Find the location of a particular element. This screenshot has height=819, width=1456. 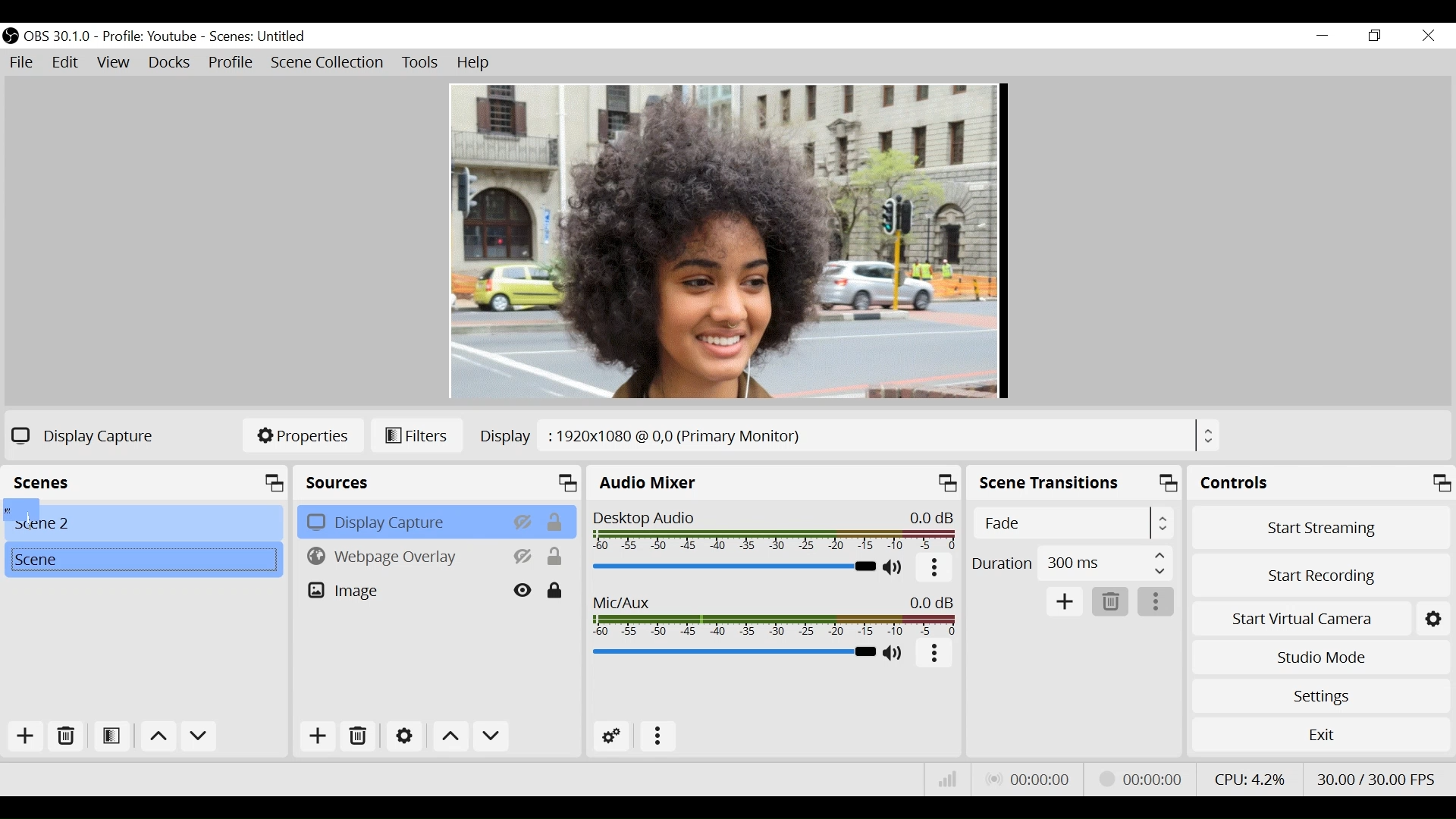

Edit is located at coordinates (64, 63).